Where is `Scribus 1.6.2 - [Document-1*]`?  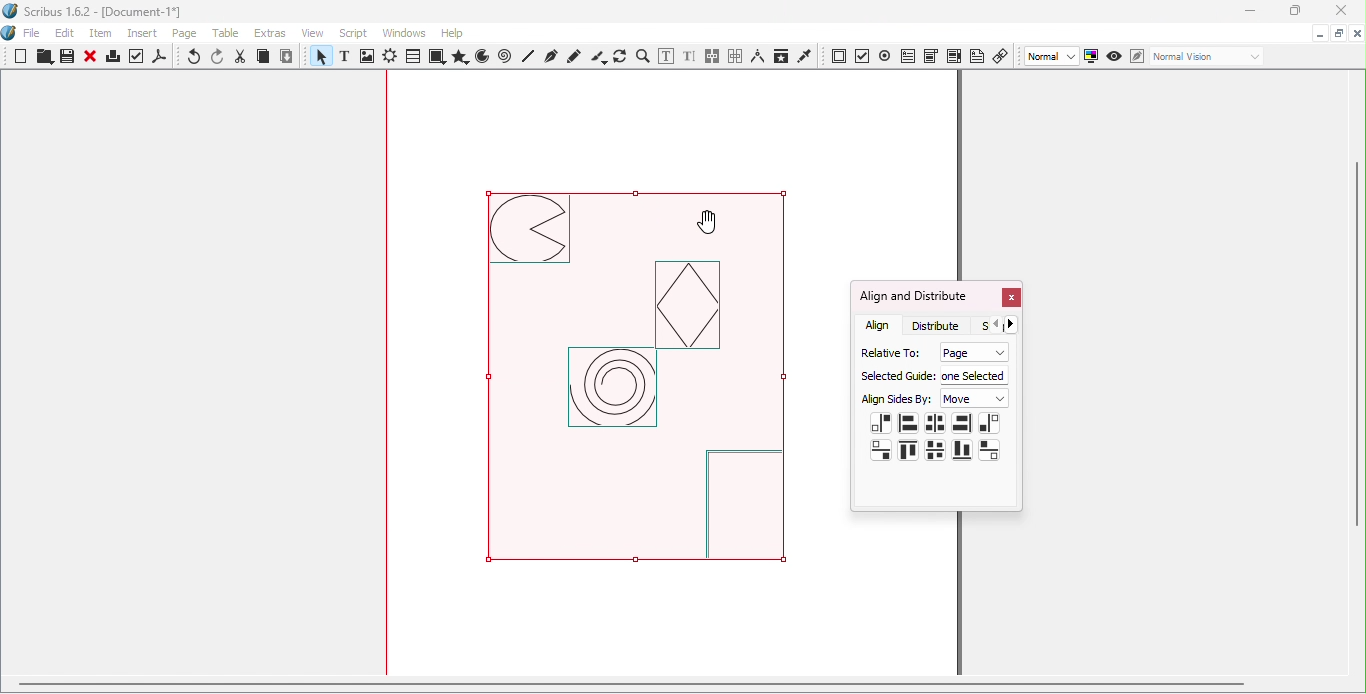 Scribus 1.6.2 - [Document-1*] is located at coordinates (101, 13).